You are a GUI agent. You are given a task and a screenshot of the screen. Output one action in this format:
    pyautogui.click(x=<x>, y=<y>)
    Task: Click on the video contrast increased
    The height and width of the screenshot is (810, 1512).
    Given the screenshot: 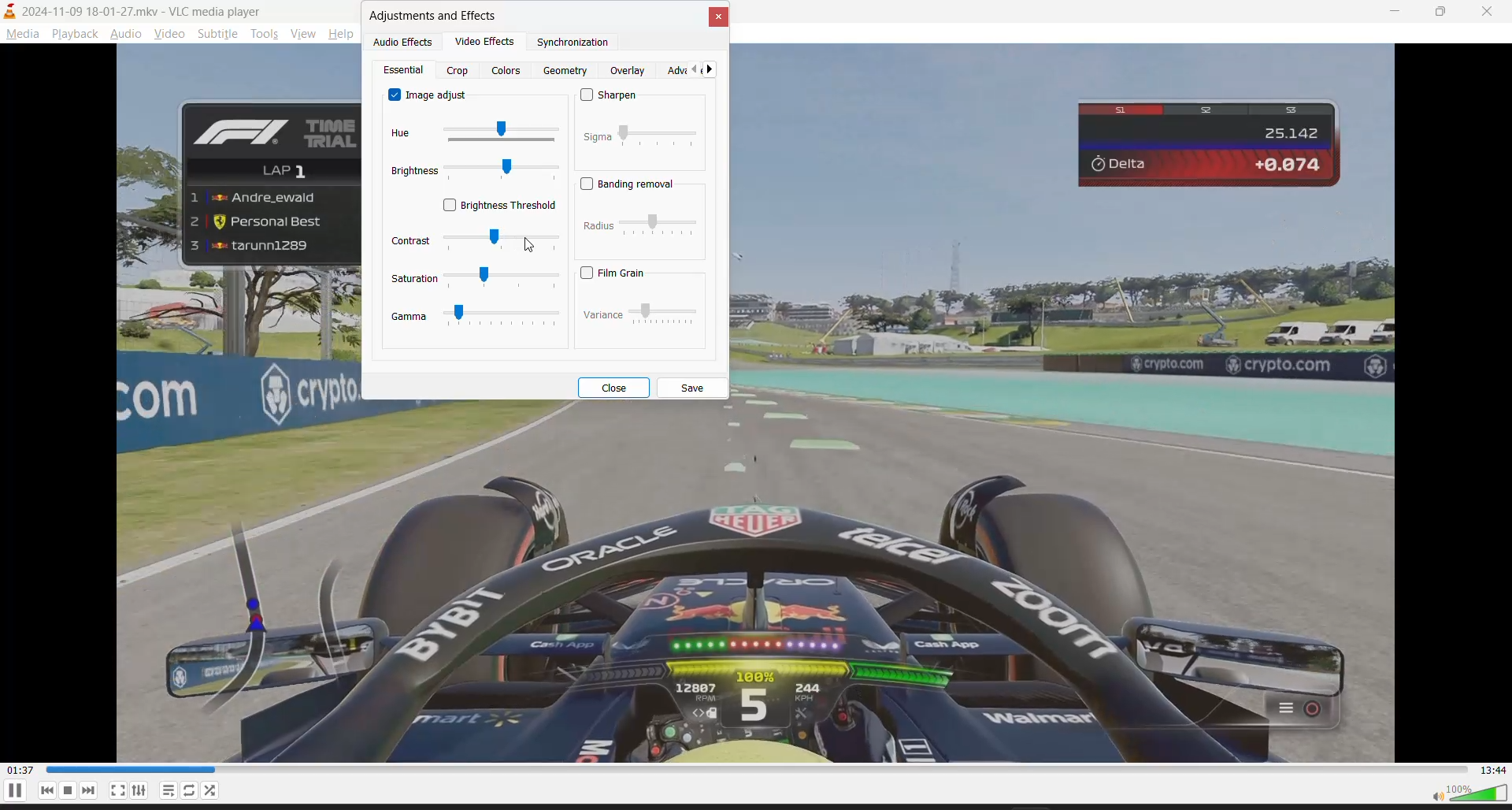 What is the action you would take?
    pyautogui.click(x=758, y=587)
    